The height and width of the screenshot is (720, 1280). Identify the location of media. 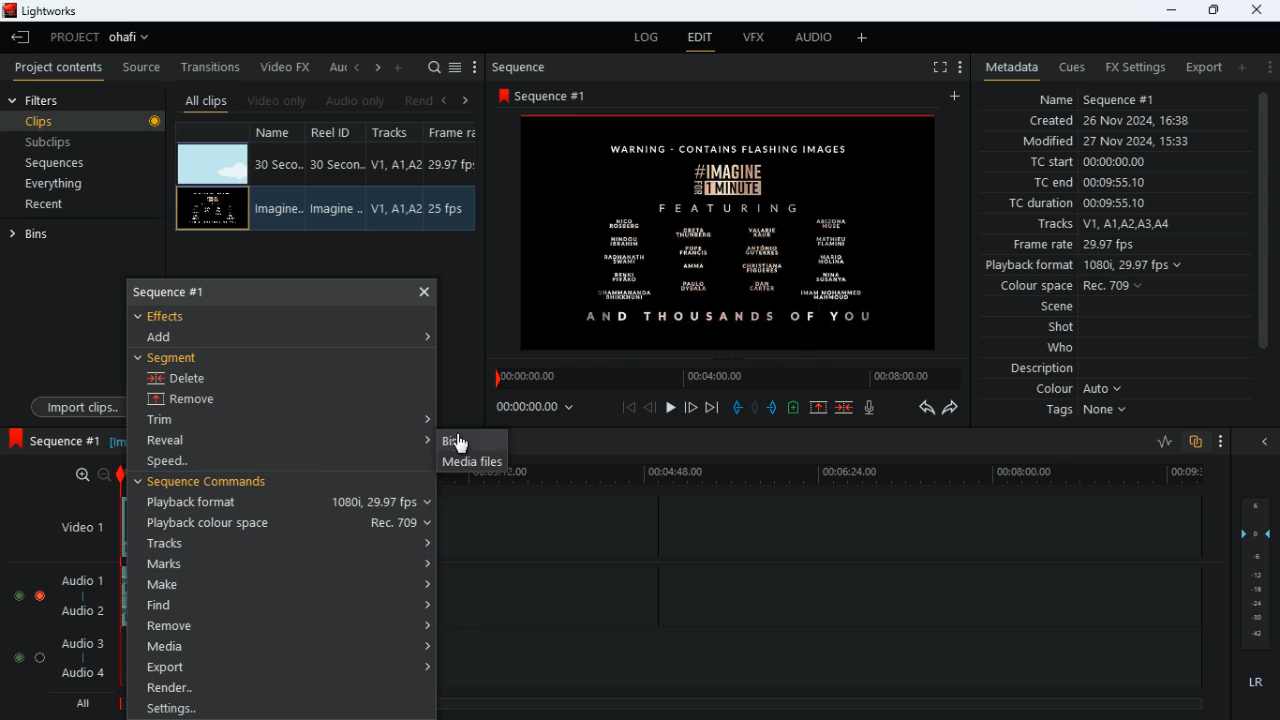
(285, 648).